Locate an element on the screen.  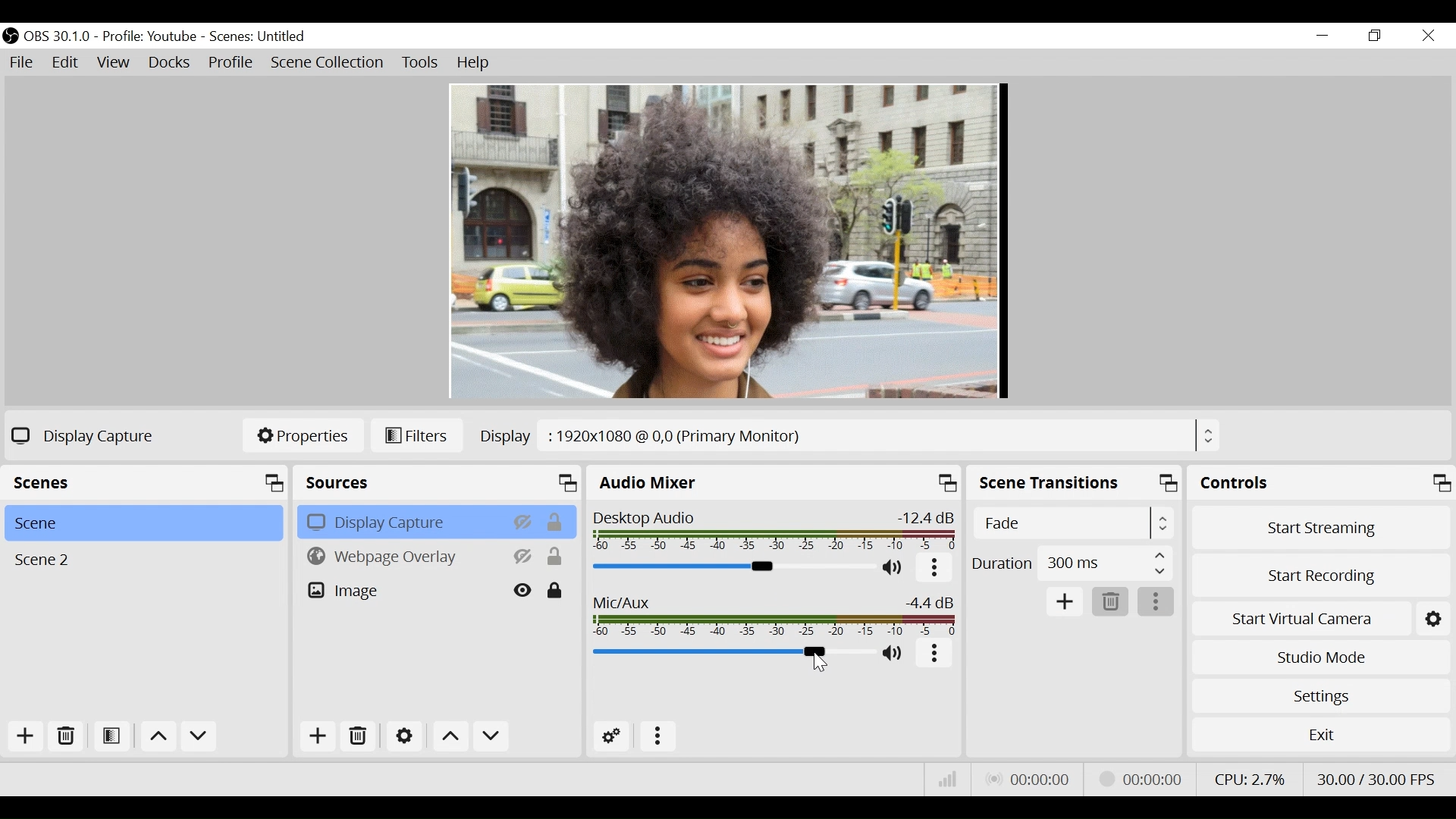
Settings is located at coordinates (1435, 618).